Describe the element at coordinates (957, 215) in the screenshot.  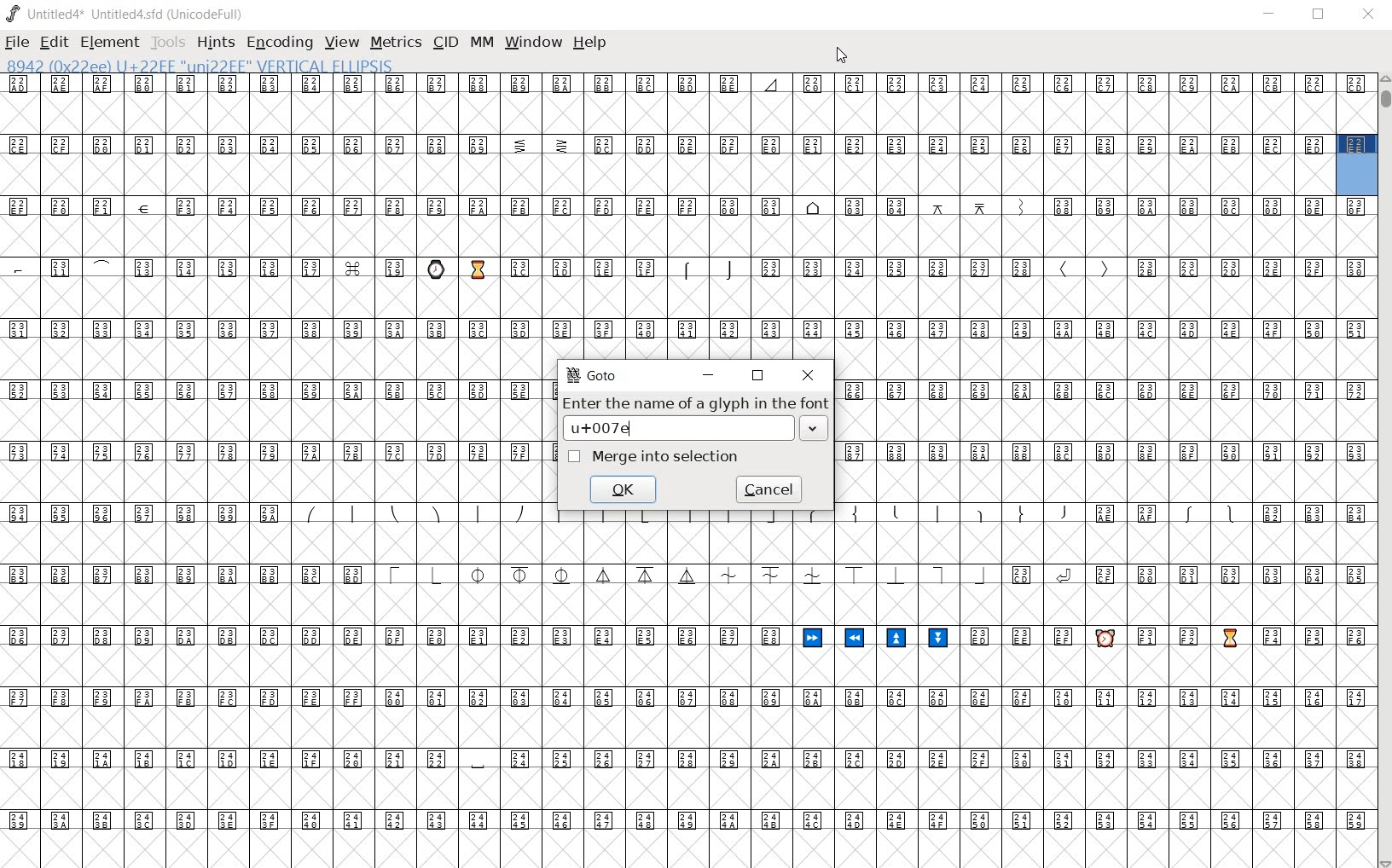
I see `glyph characters` at that location.